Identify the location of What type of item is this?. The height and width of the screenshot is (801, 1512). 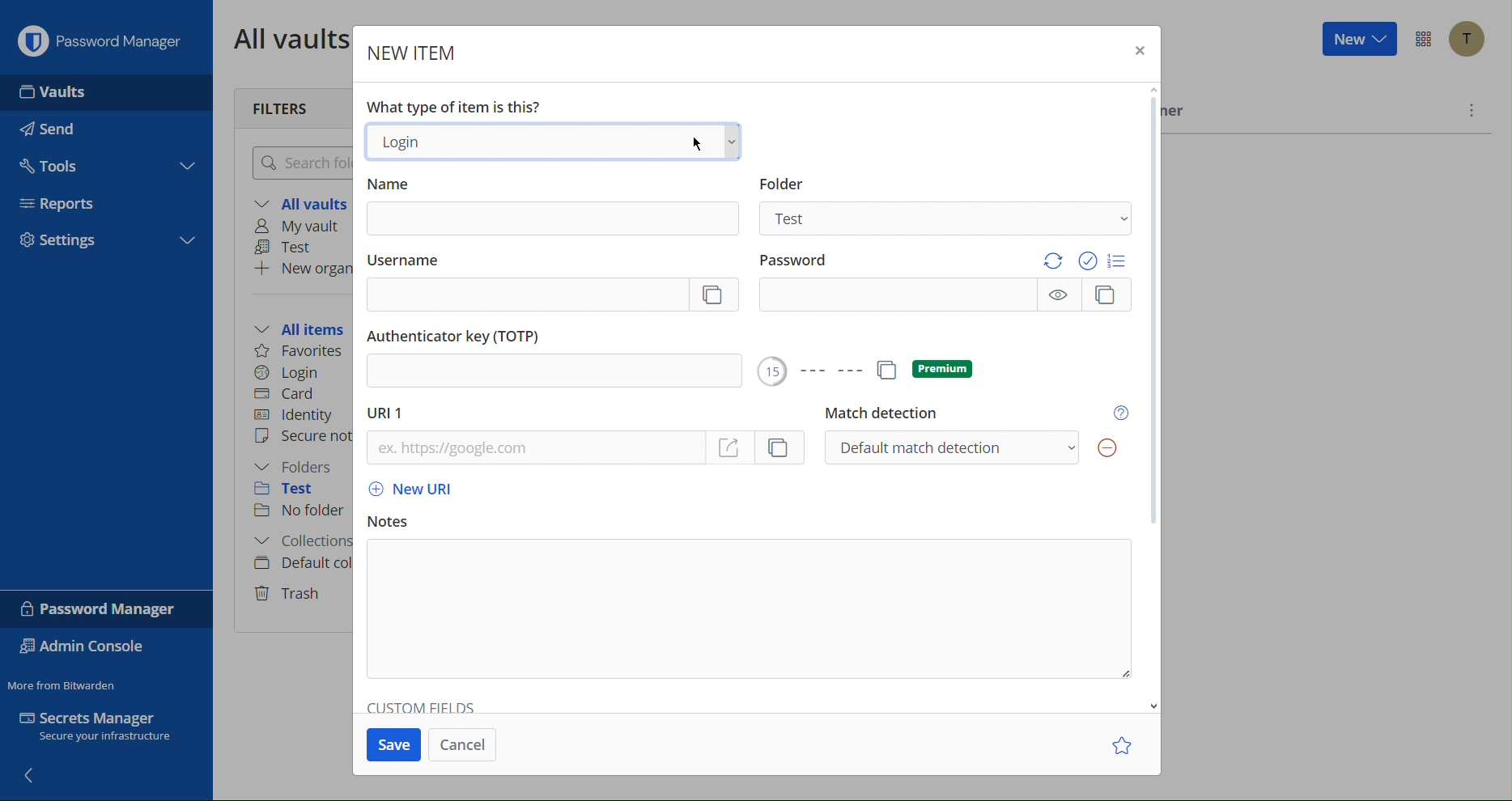
(465, 103).